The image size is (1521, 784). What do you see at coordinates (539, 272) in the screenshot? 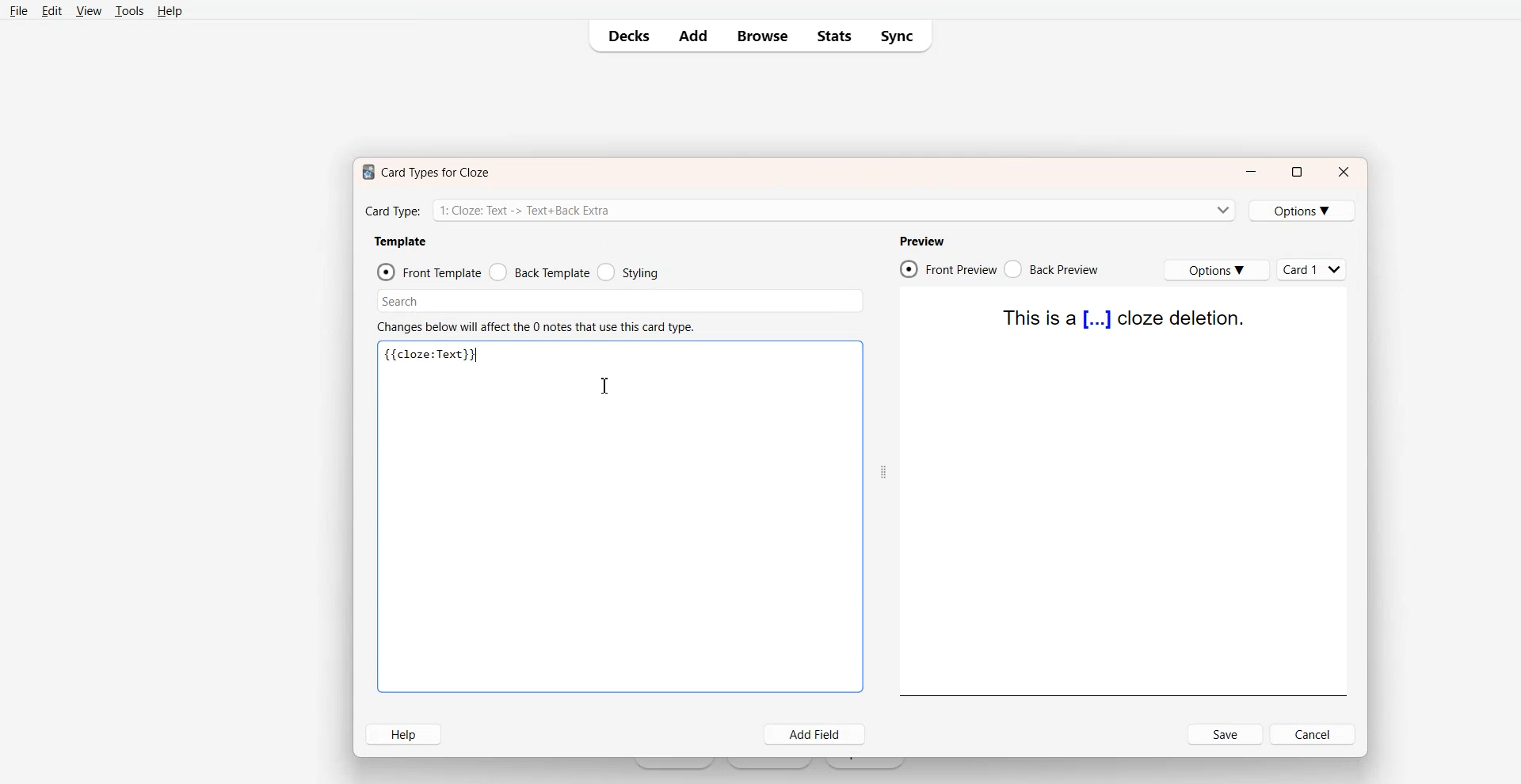
I see `Back Template` at bounding box center [539, 272].